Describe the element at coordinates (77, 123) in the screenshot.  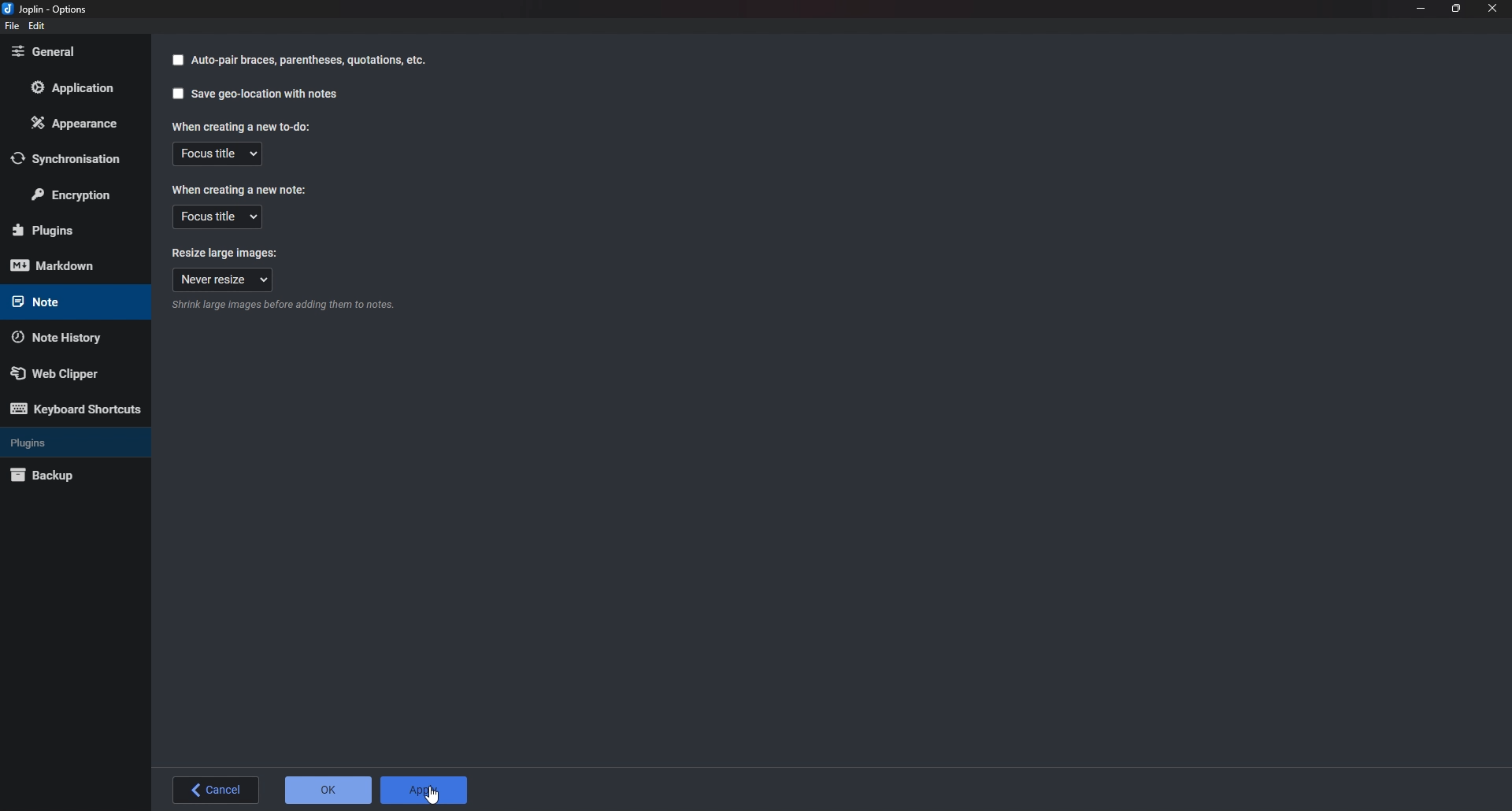
I see `Appearance` at that location.